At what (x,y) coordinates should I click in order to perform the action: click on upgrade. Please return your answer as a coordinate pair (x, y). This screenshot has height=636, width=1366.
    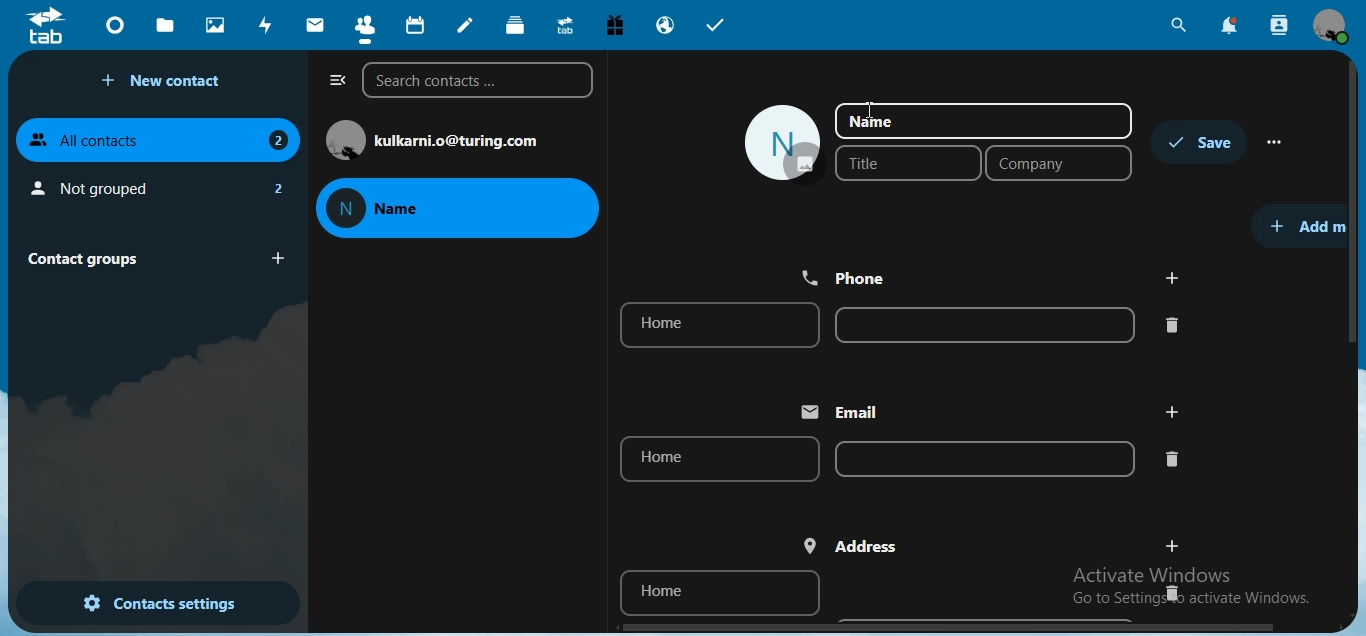
    Looking at the image, I should click on (563, 24).